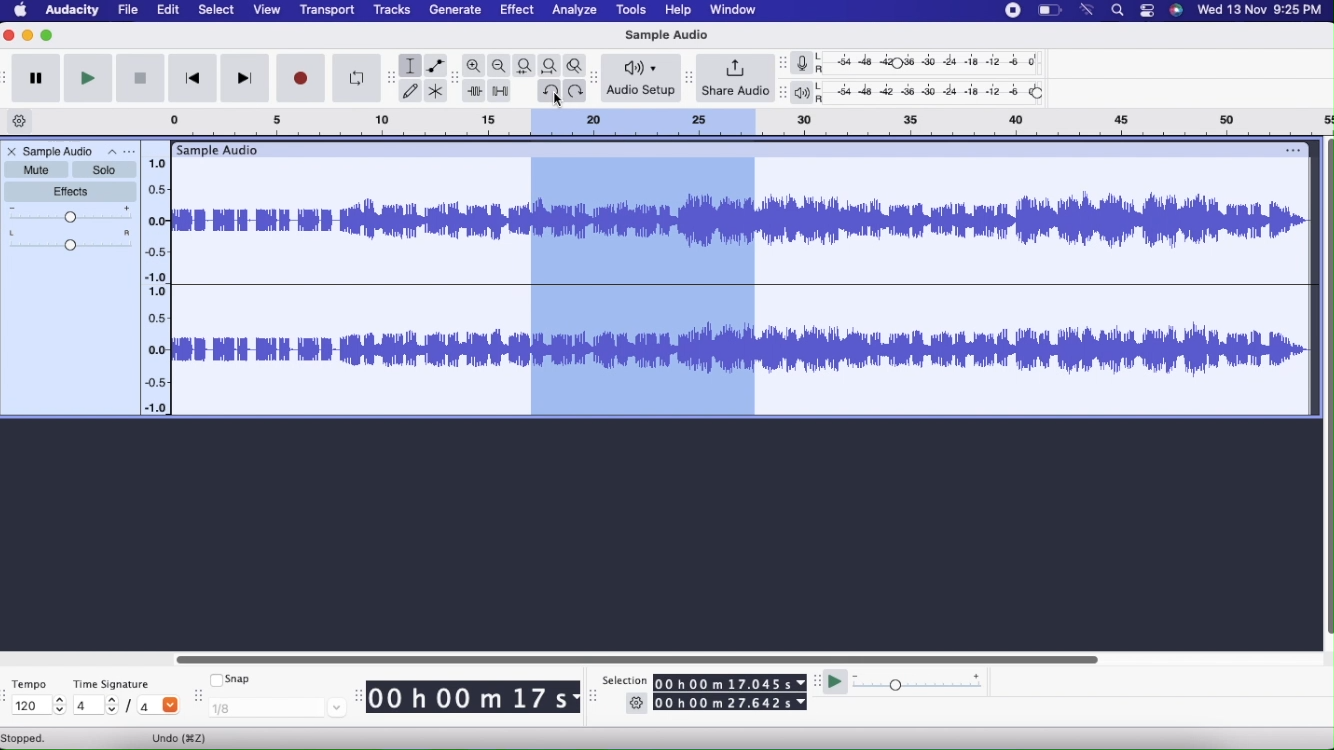 The image size is (1334, 750). I want to click on Tracks, so click(392, 11).